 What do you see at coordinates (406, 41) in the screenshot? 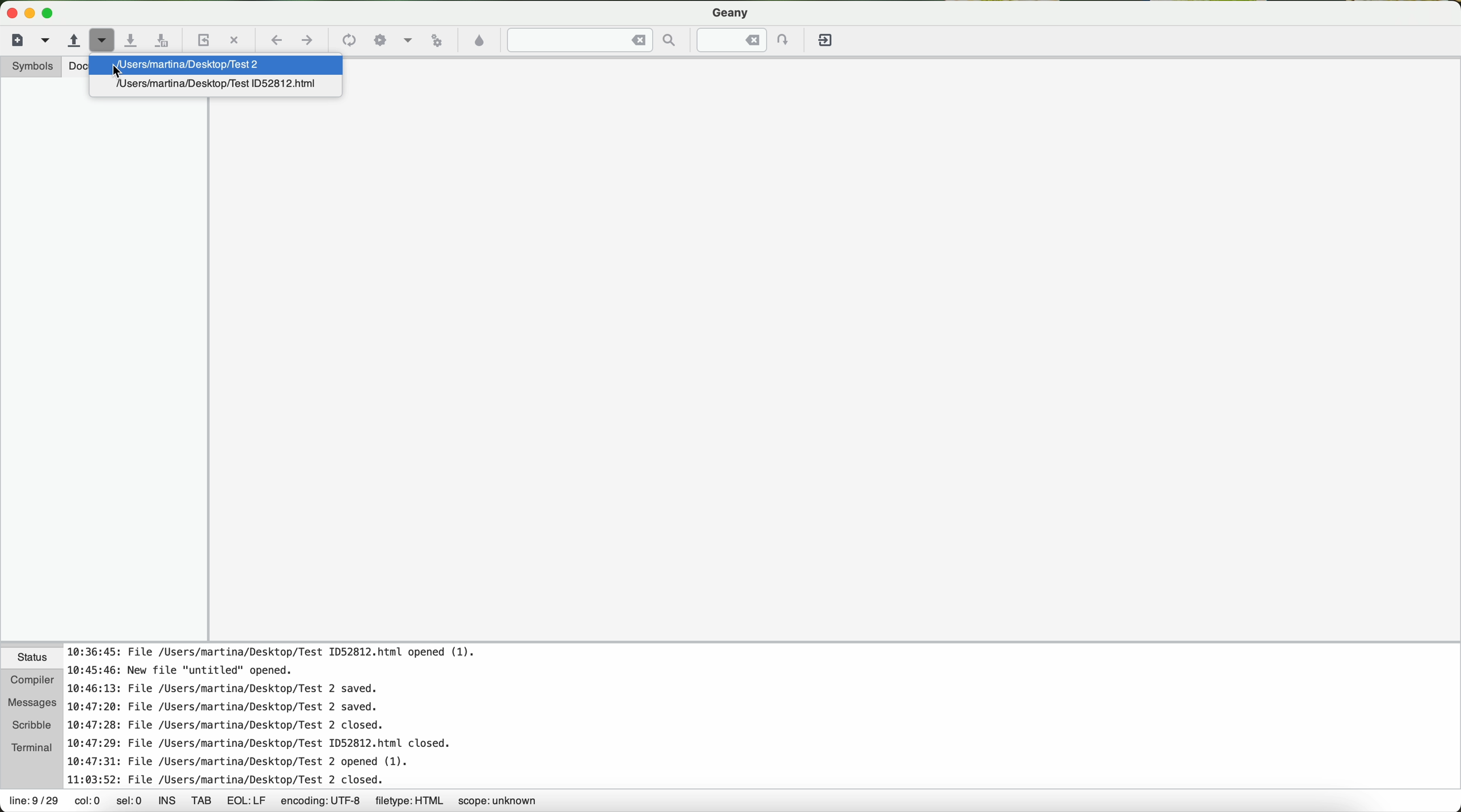
I see `icon` at bounding box center [406, 41].